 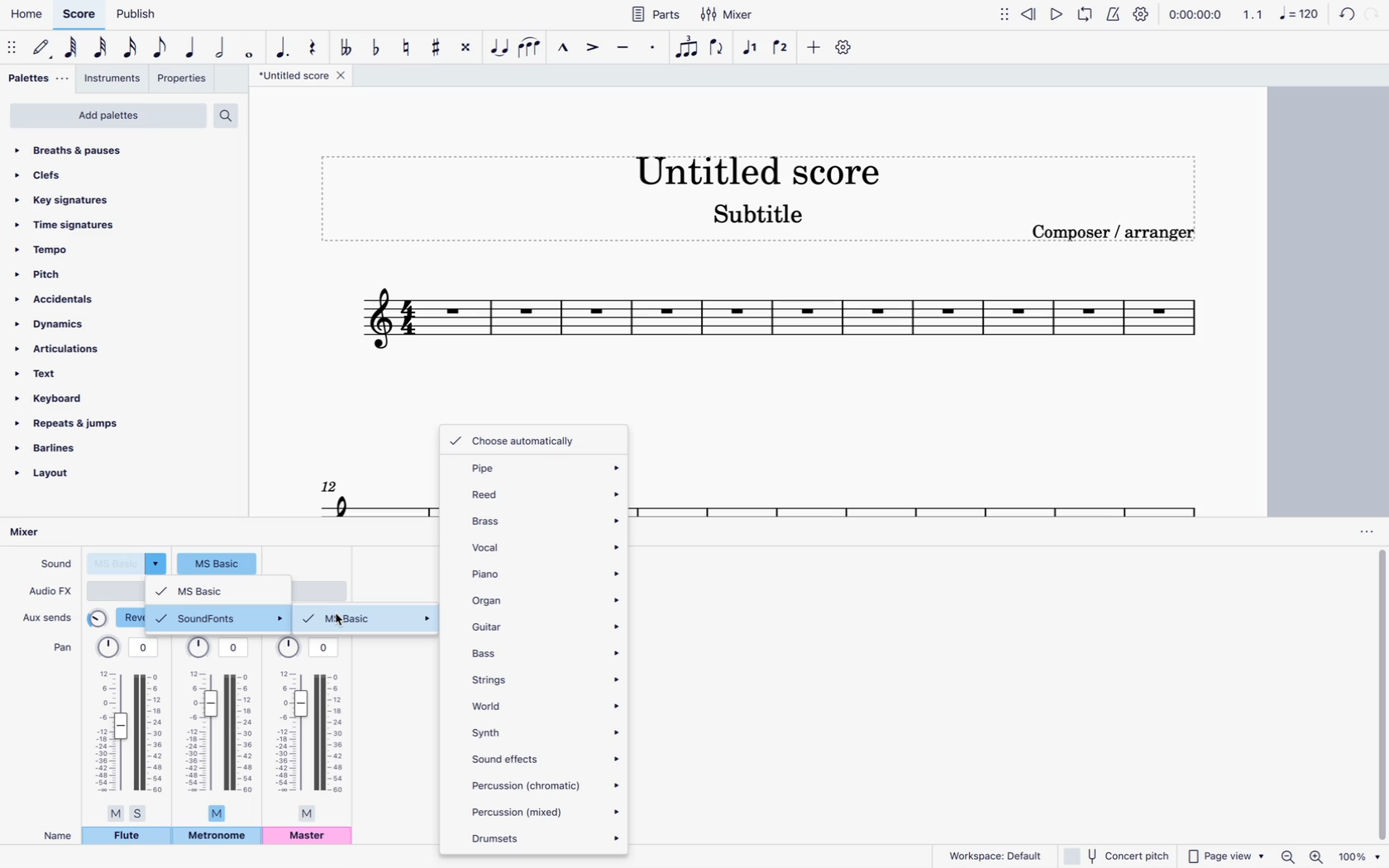 I want to click on master, so click(x=308, y=837).